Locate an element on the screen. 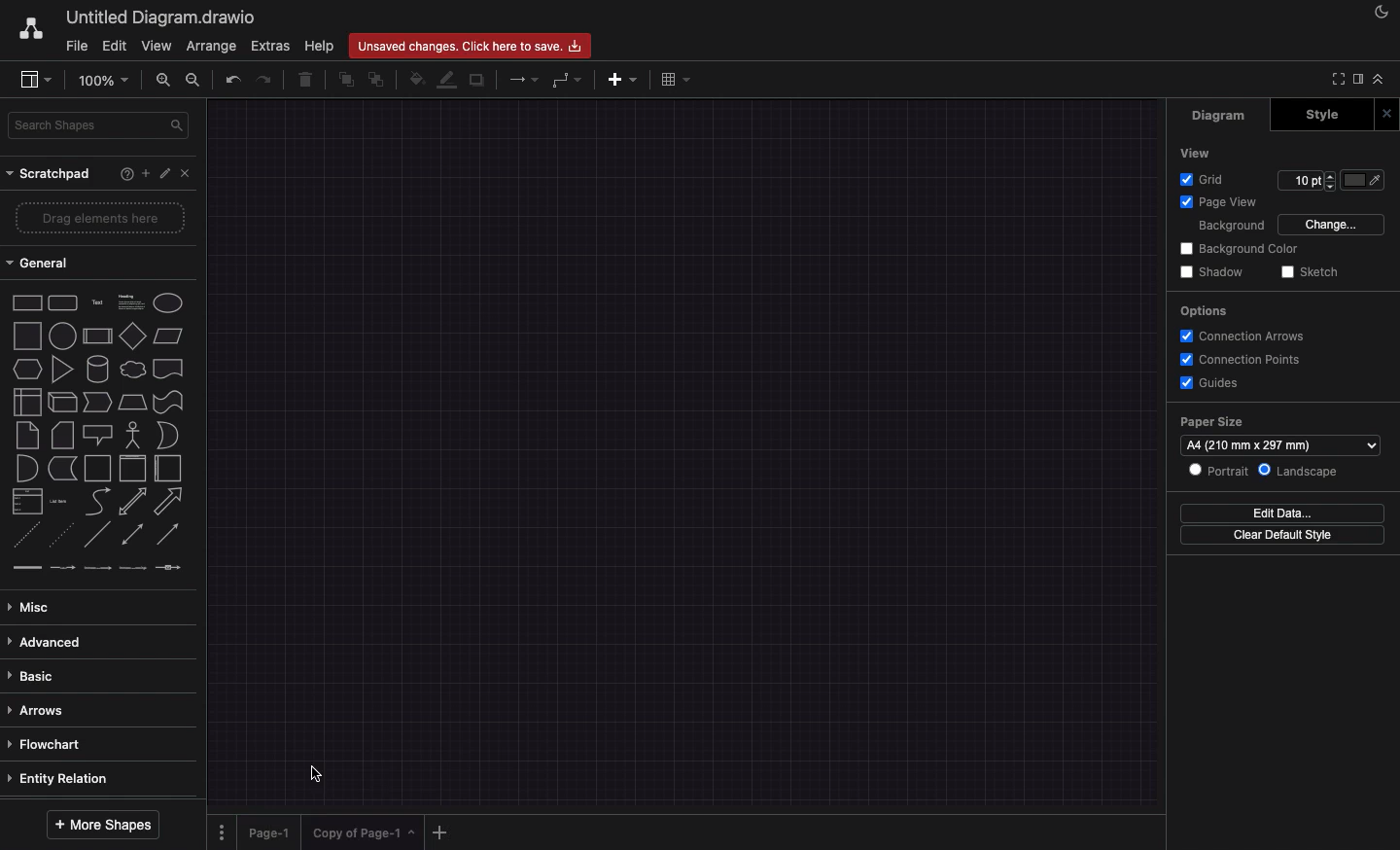 This screenshot has height=850, width=1400. background color is located at coordinates (1242, 248).